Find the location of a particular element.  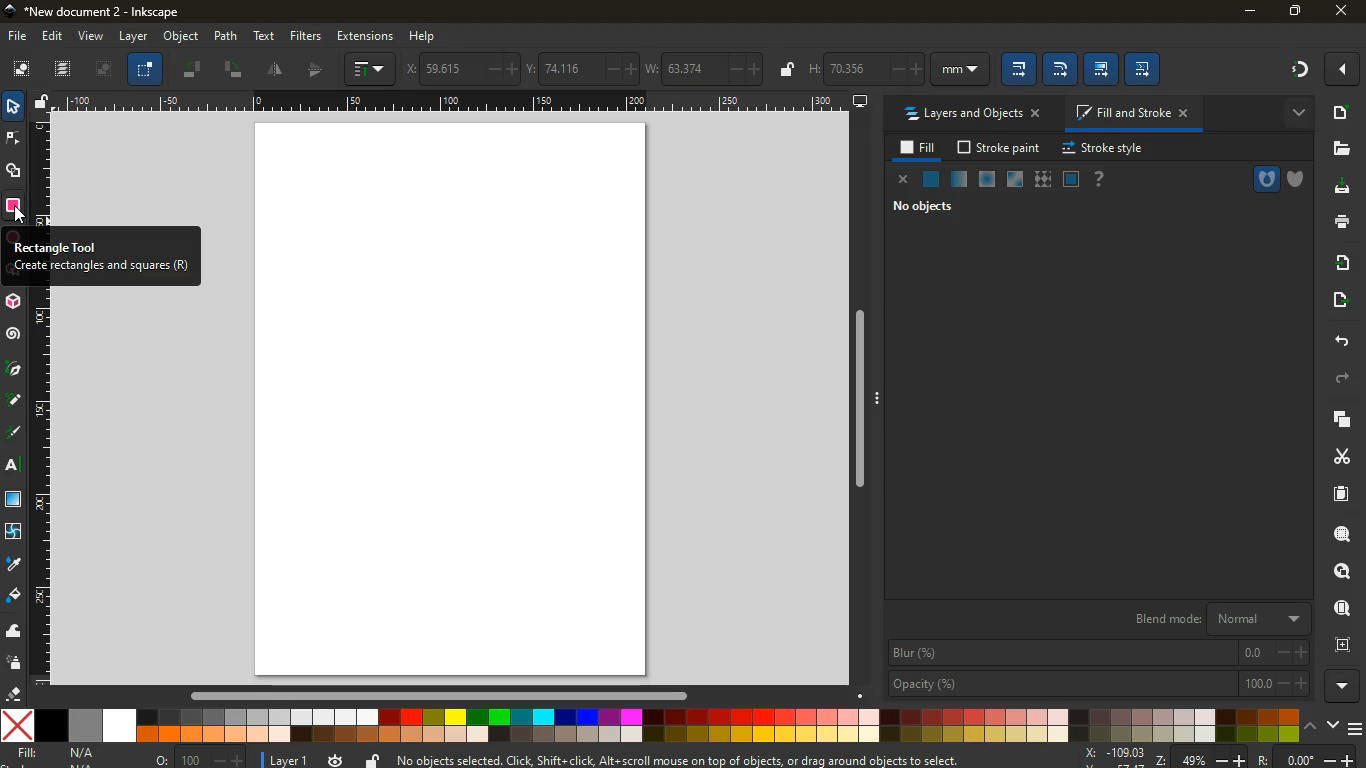

look is located at coordinates (1342, 570).